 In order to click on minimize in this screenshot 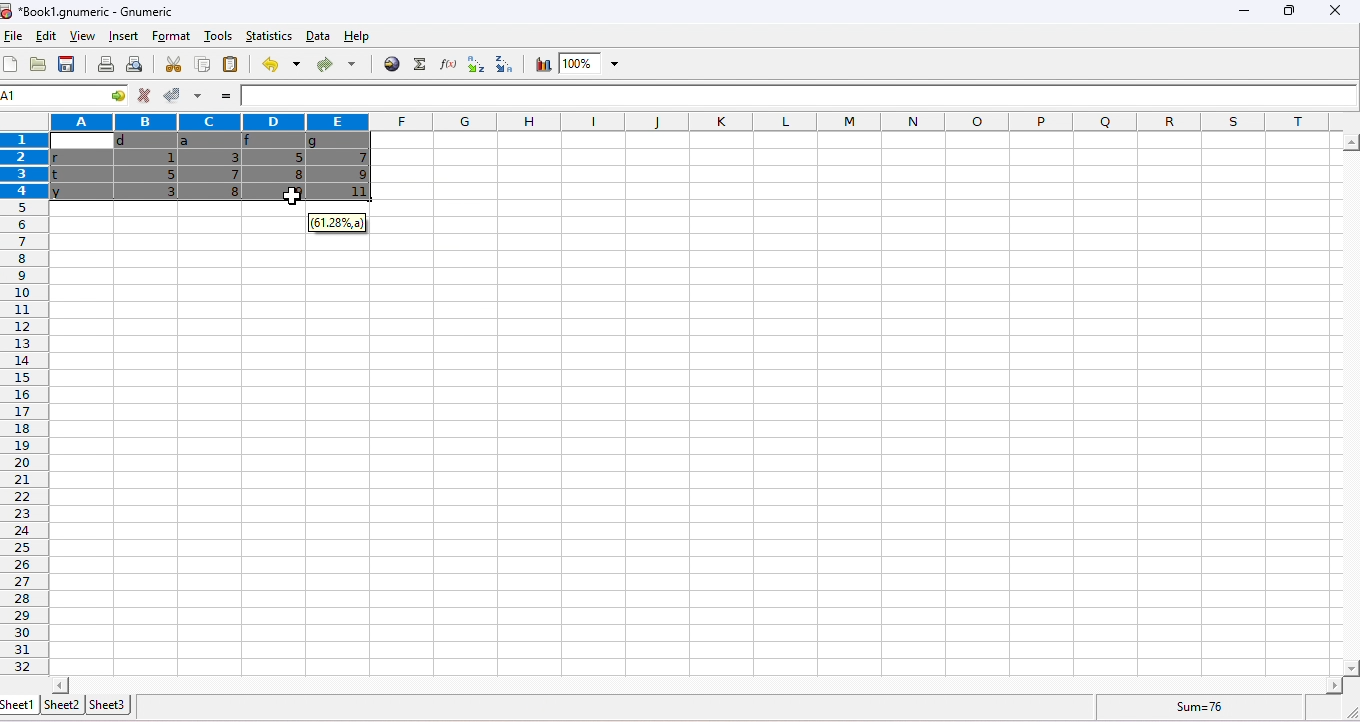, I will do `click(1241, 14)`.